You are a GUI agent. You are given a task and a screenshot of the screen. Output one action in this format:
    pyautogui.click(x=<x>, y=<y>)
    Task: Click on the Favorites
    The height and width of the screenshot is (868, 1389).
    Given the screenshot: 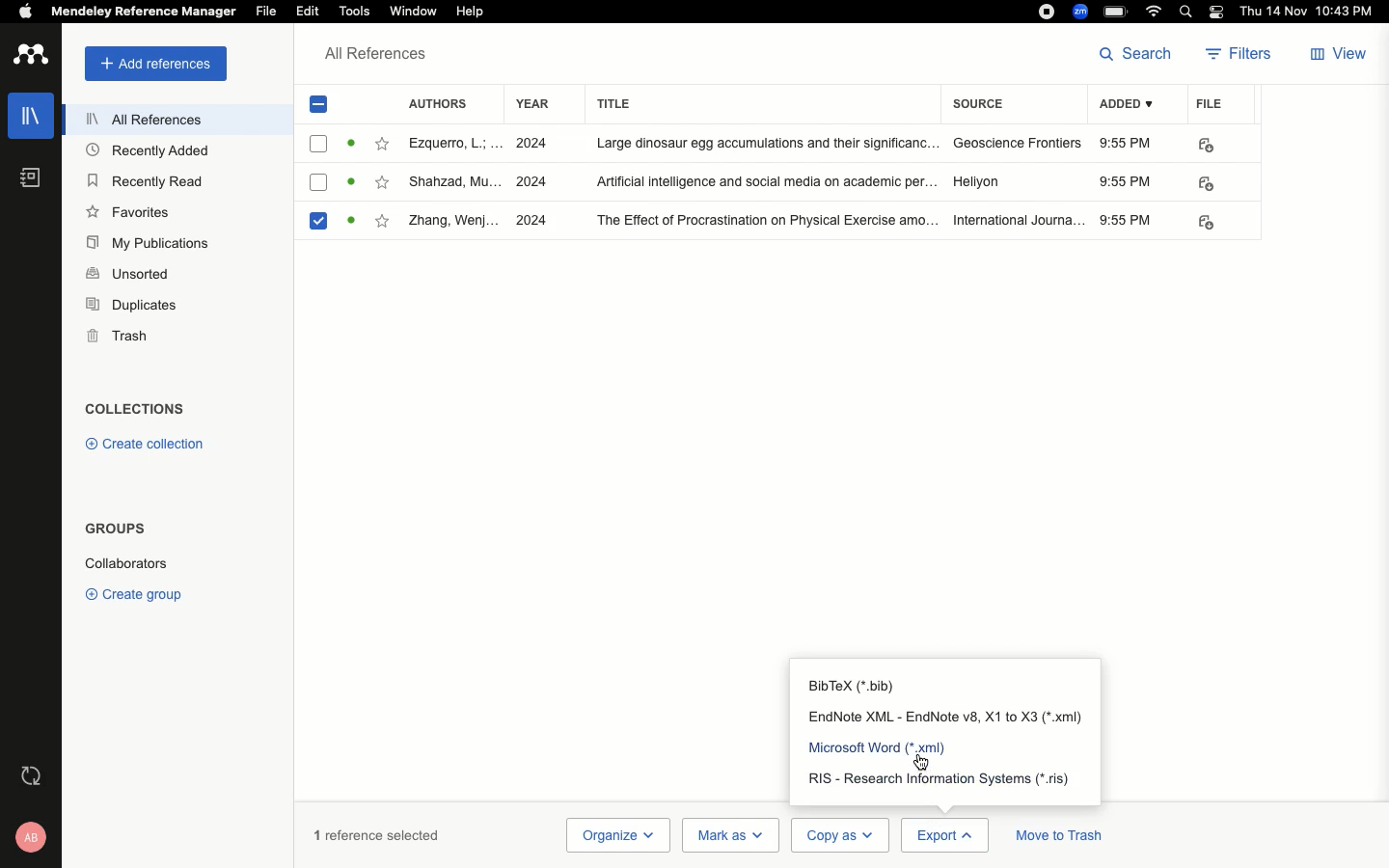 What is the action you would take?
    pyautogui.click(x=131, y=212)
    